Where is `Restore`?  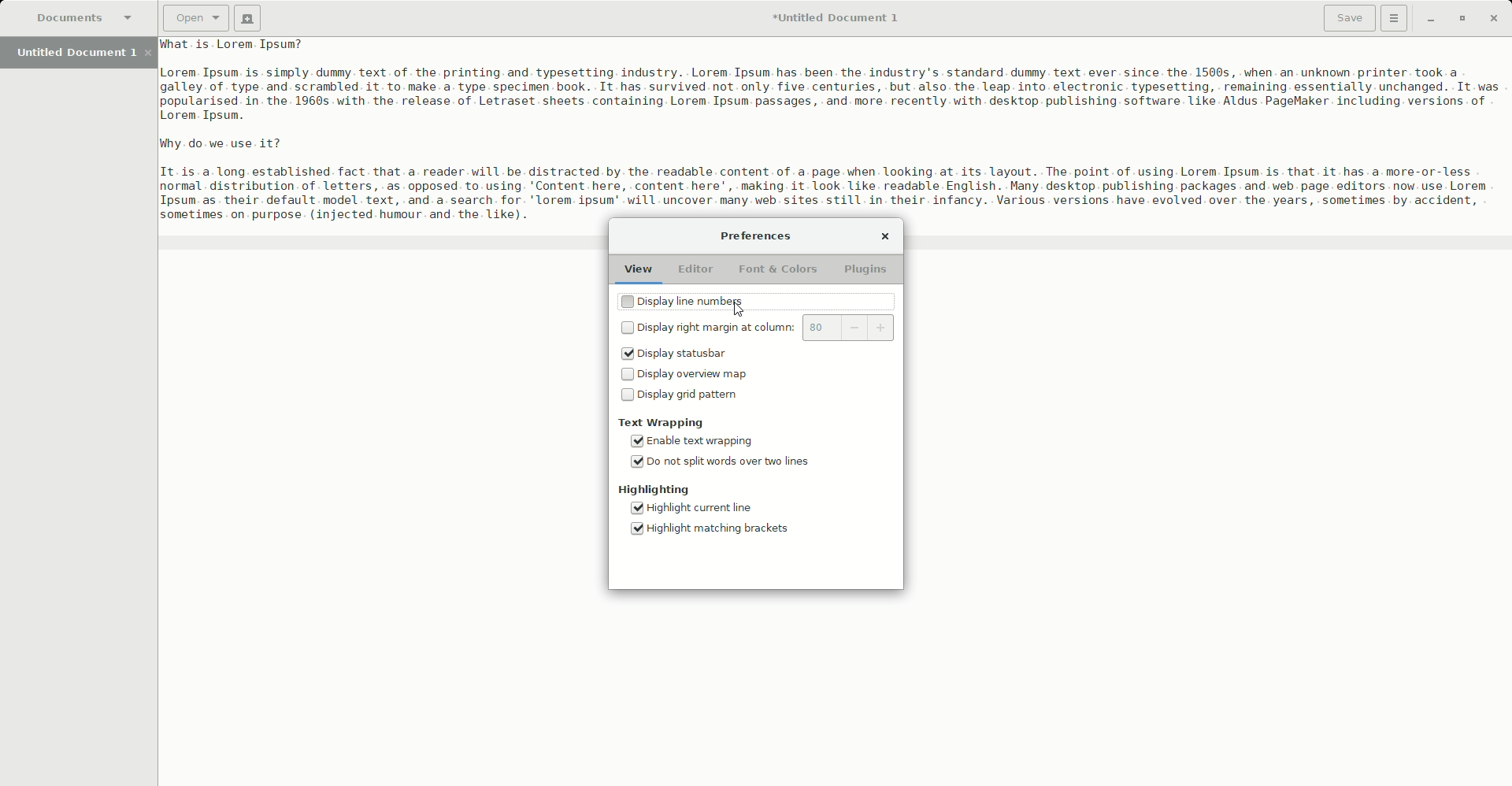
Restore is located at coordinates (1458, 19).